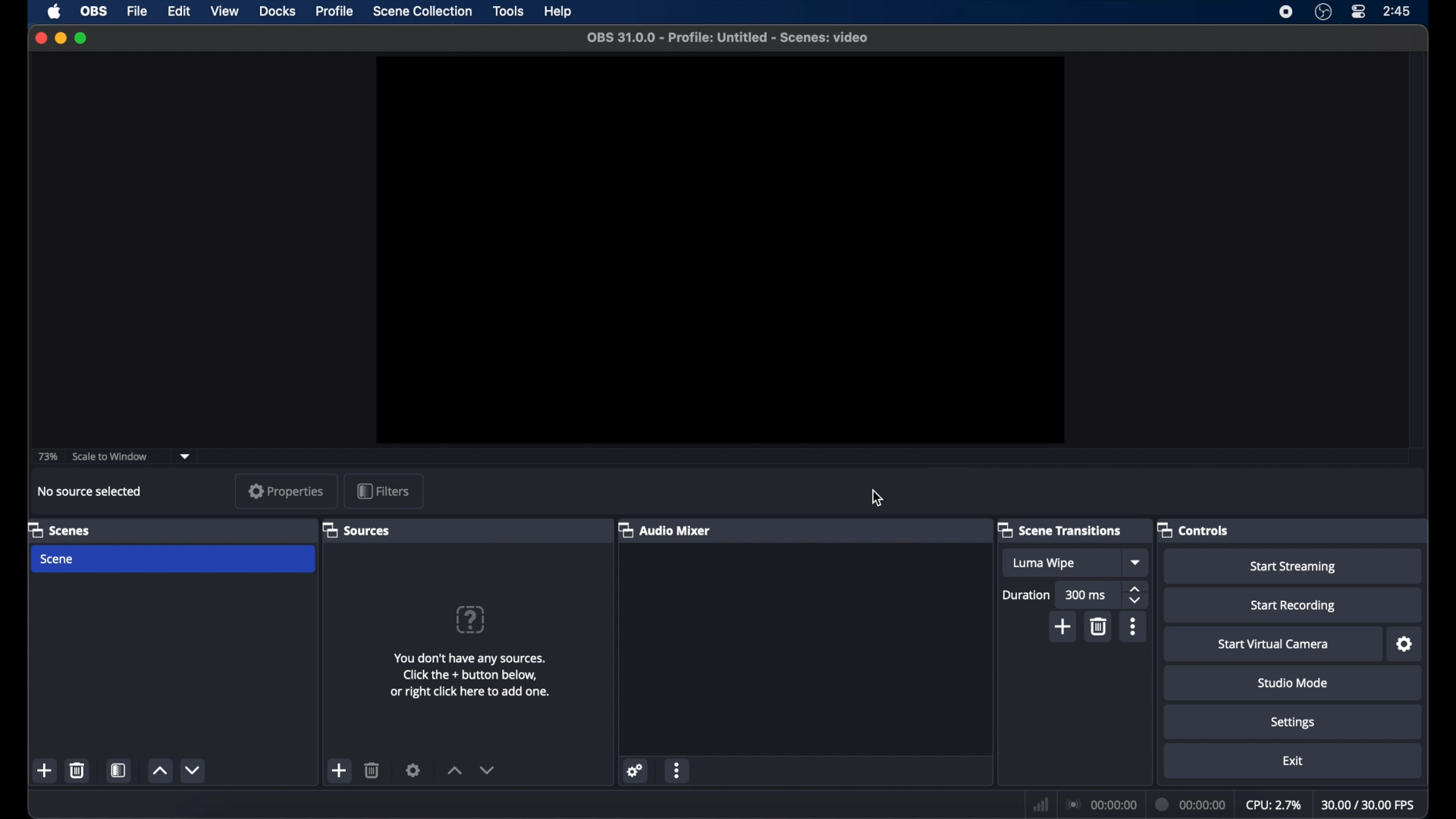 The image size is (1456, 819). I want to click on filters, so click(382, 491).